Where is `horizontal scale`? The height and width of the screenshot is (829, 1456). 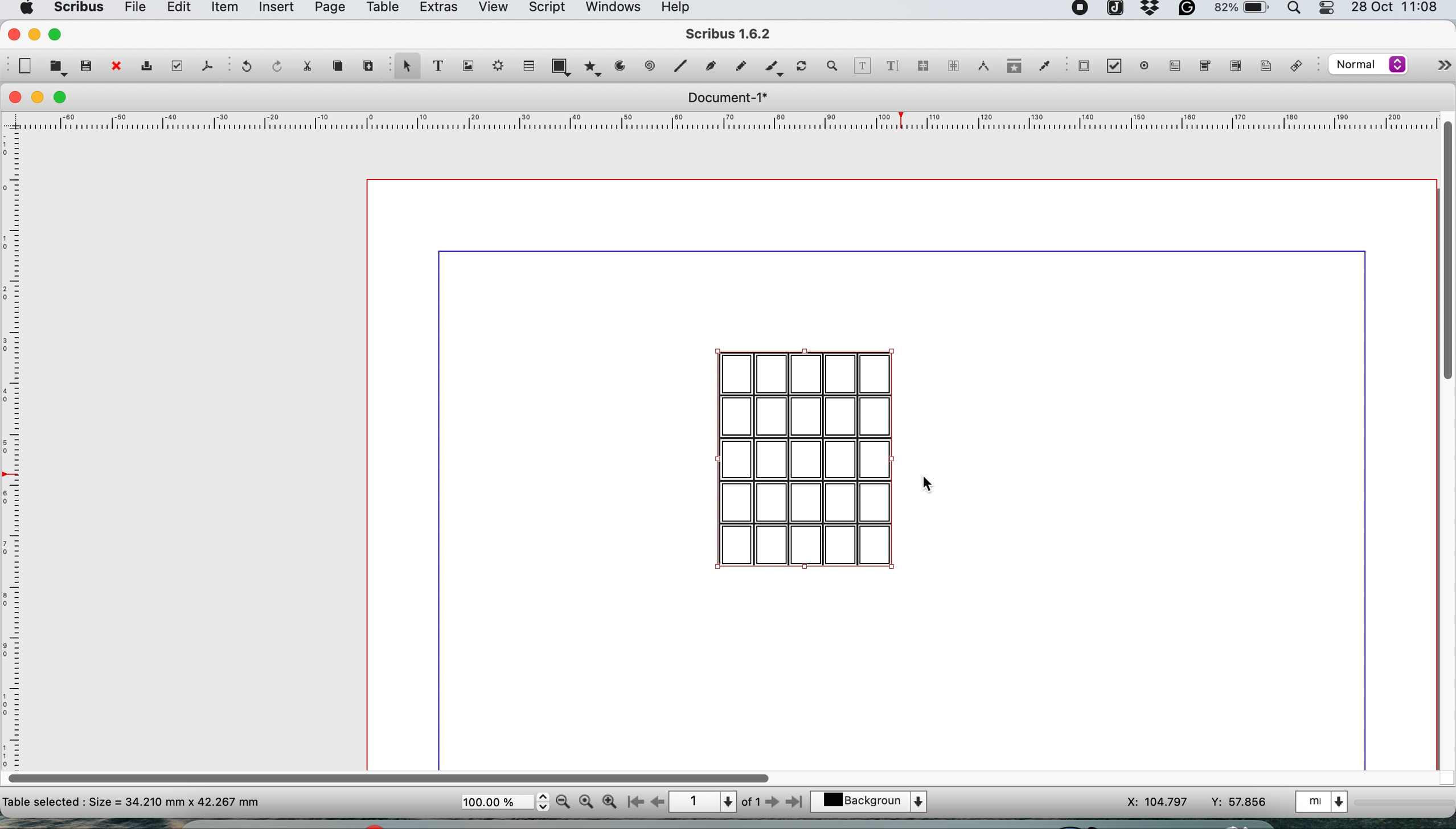
horizontal scale is located at coordinates (729, 124).